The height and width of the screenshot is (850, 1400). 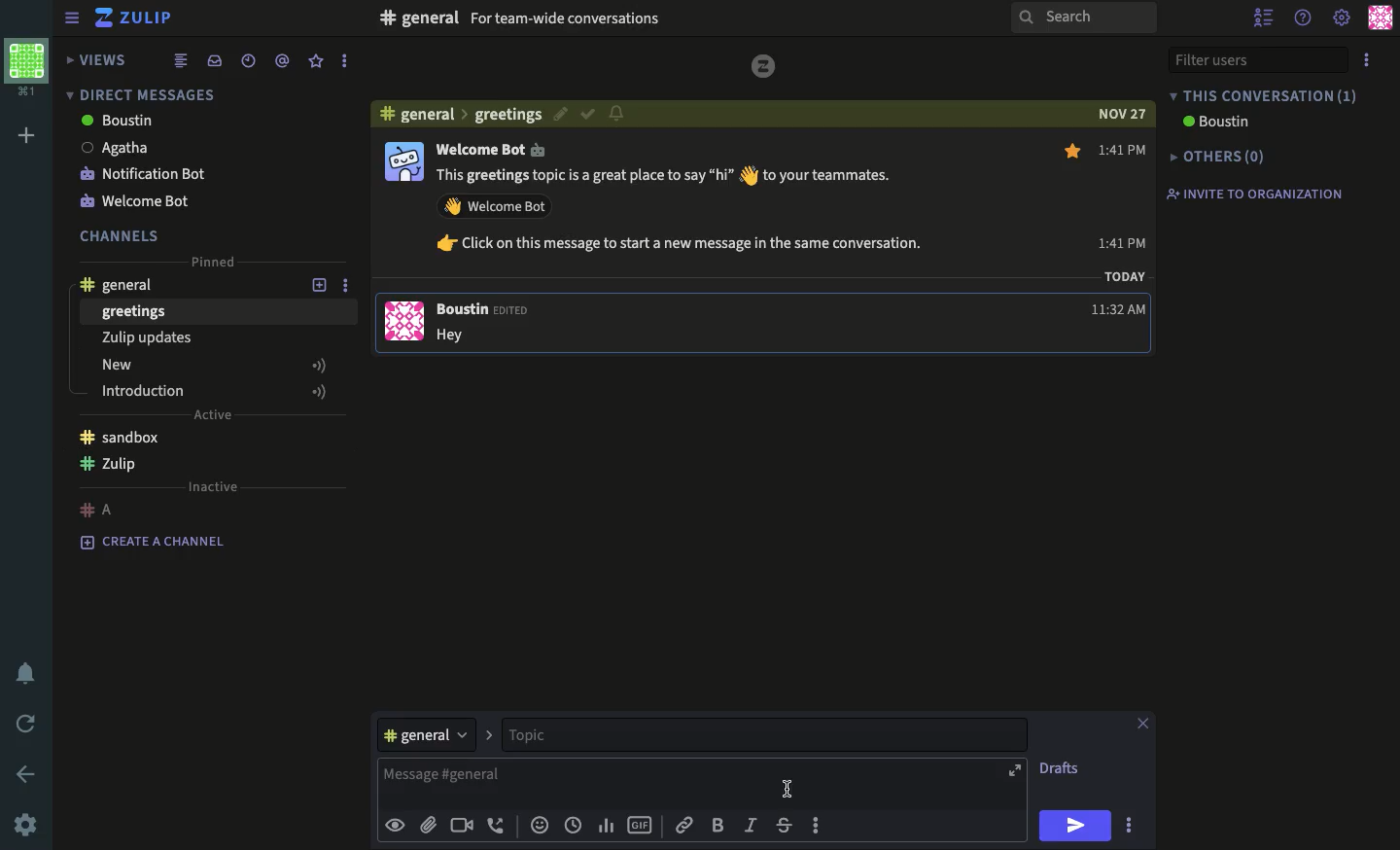 What do you see at coordinates (220, 413) in the screenshot?
I see `Active` at bounding box center [220, 413].